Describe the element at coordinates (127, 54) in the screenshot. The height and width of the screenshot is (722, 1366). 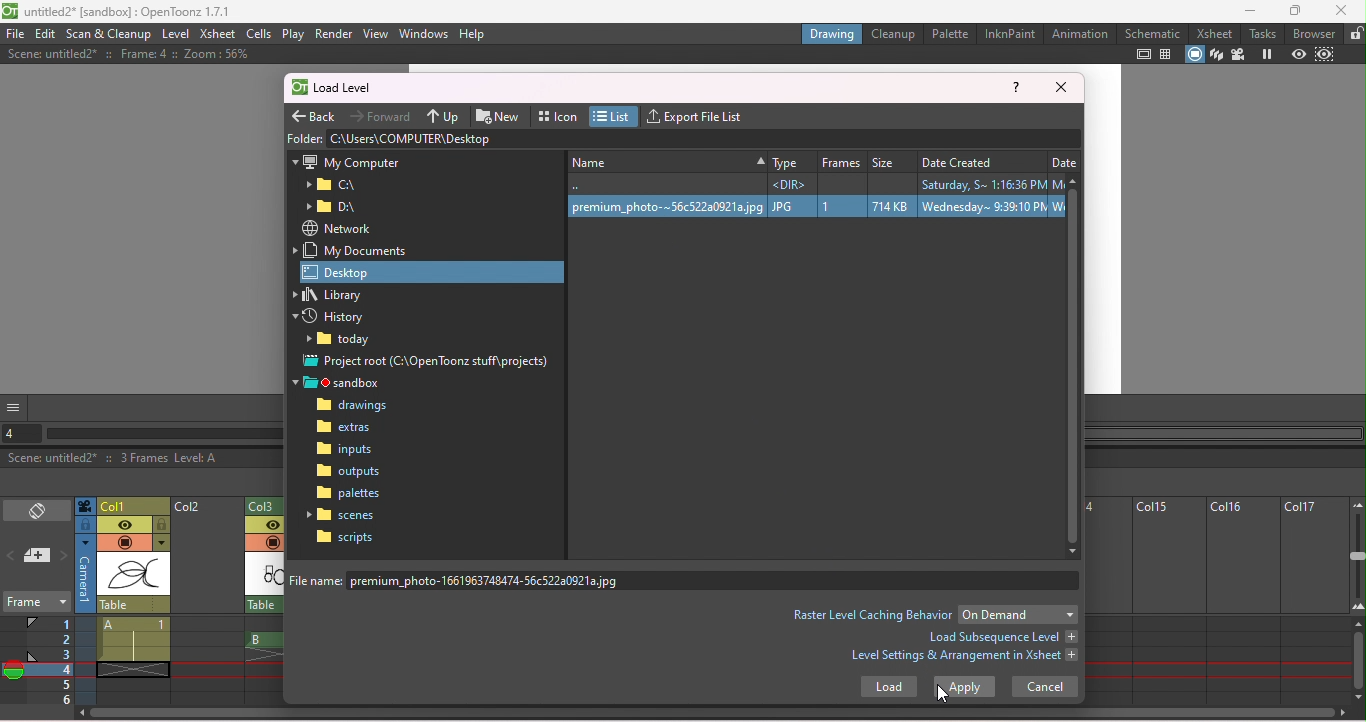
I see `Scene: untitled2* : Frame: 4 :: Zoom: 56%` at that location.